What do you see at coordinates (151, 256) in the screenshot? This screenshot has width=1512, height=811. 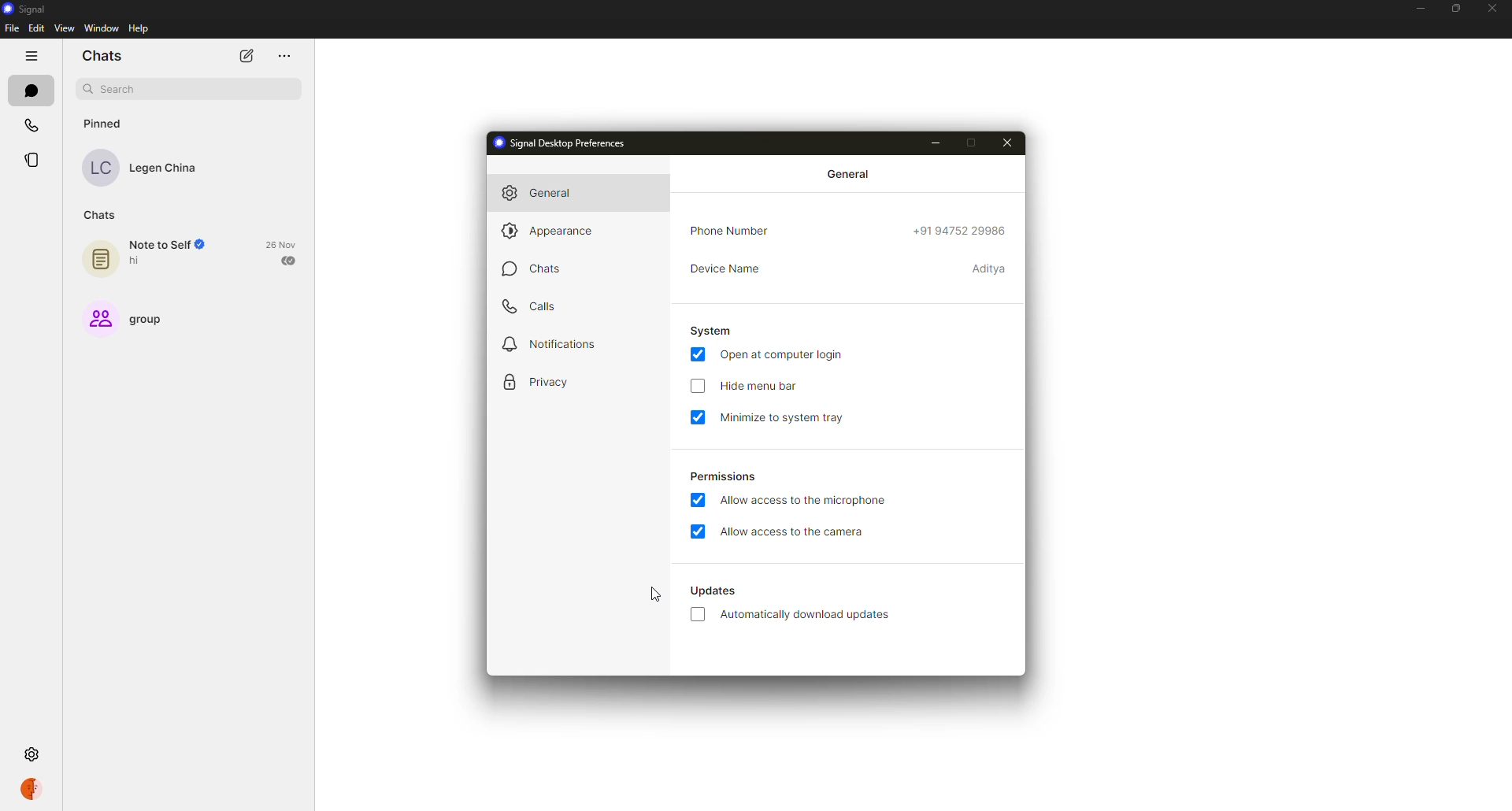 I see `note to self` at bounding box center [151, 256].